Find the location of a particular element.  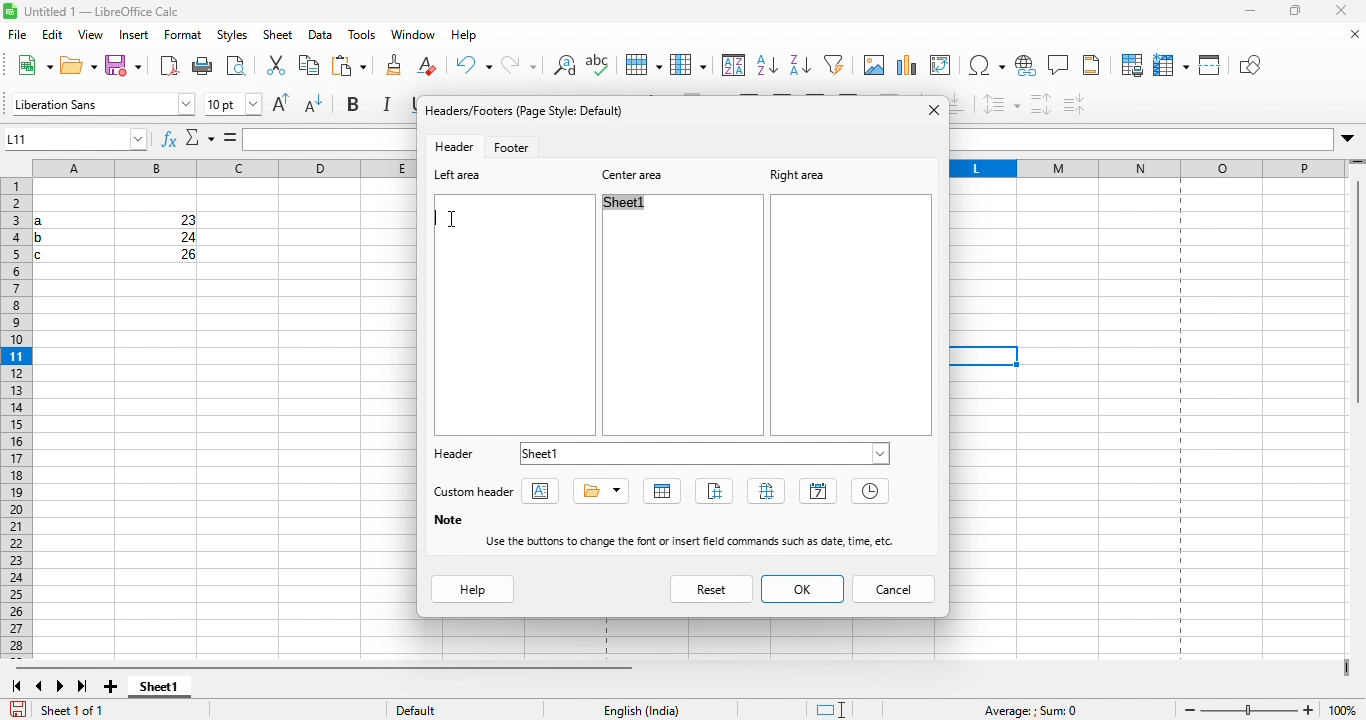

file is located at coordinates (18, 36).